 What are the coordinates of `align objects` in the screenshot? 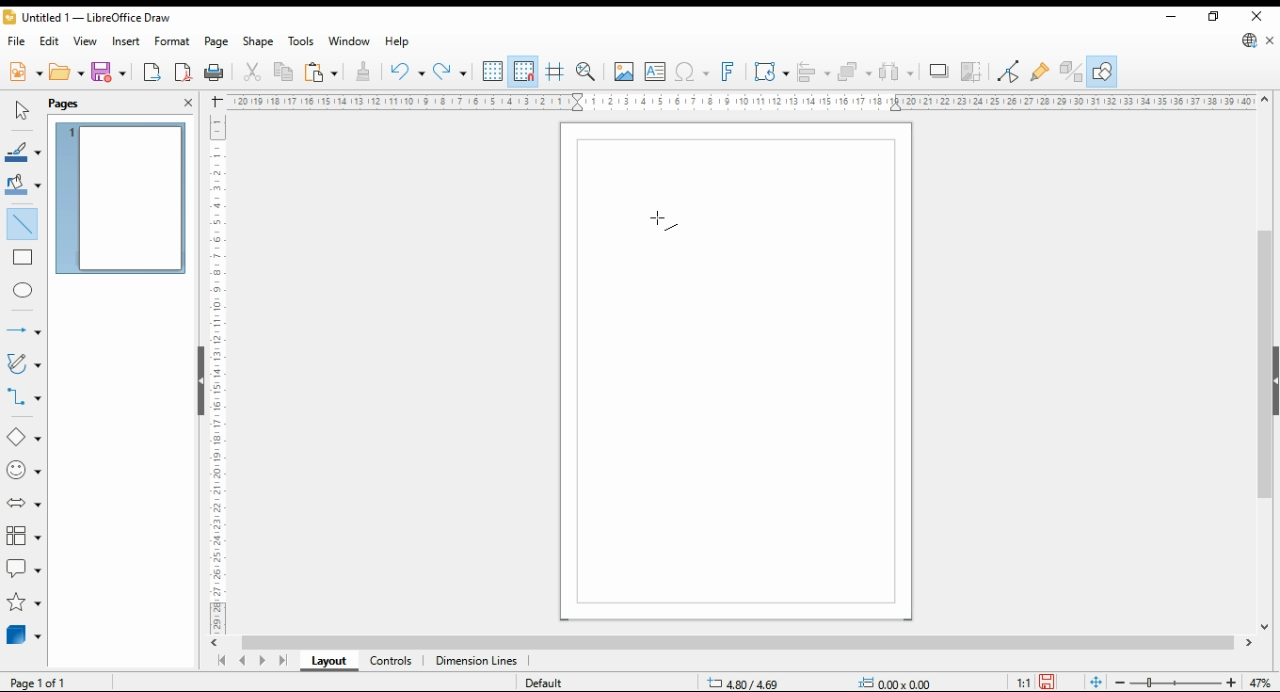 It's located at (814, 71).